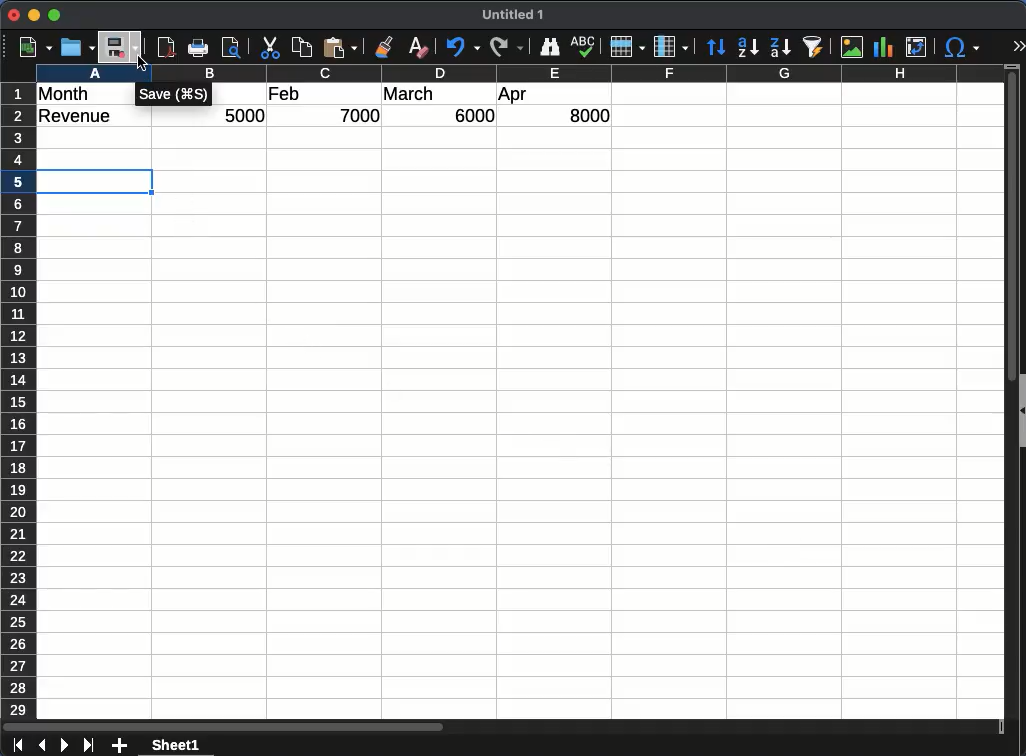 This screenshot has width=1026, height=756. I want to click on redo, so click(505, 47).